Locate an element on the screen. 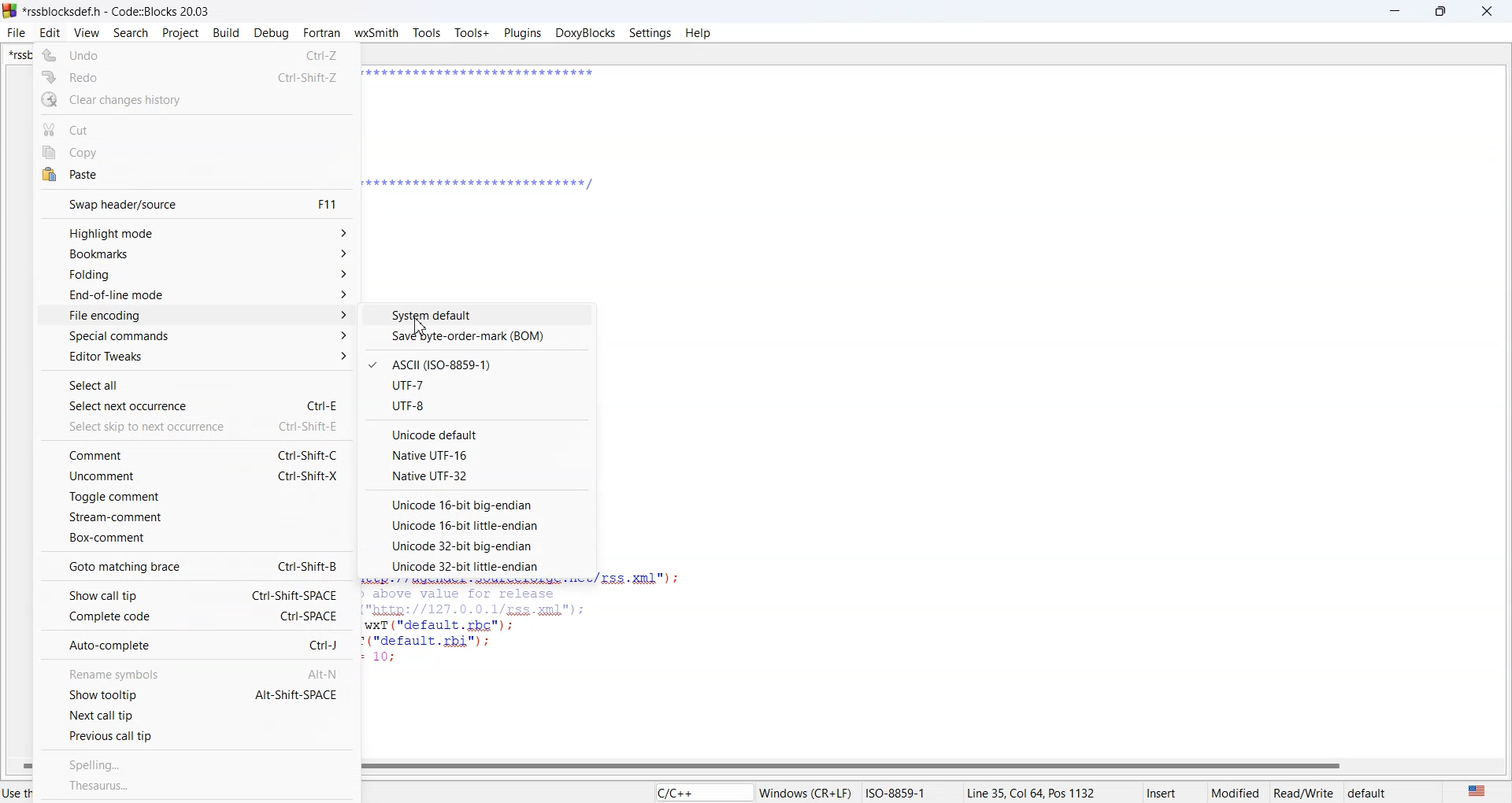 This screenshot has height=803, width=1512. select skip to next occurrence is located at coordinates (198, 425).